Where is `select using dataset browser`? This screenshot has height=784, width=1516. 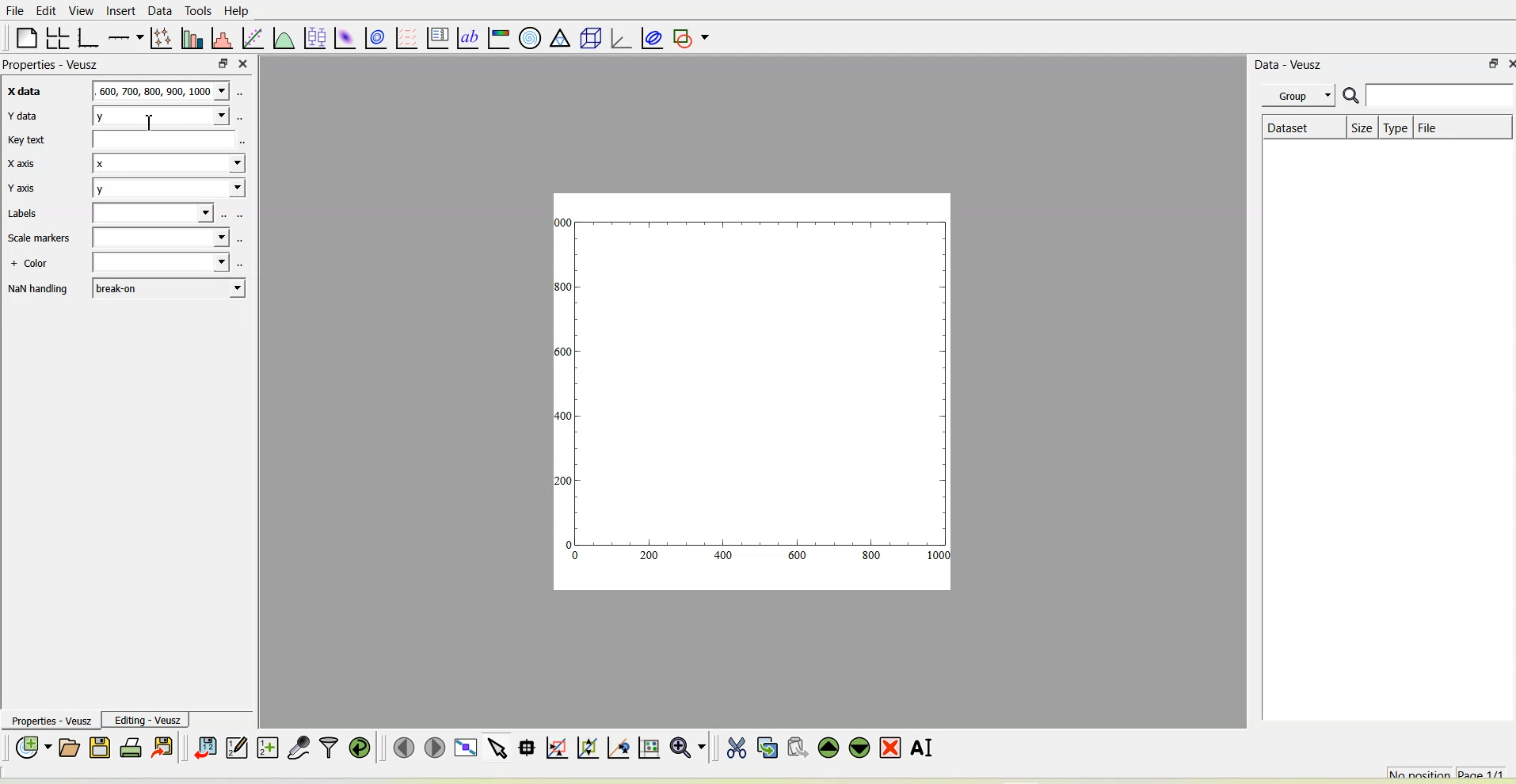 select using dataset browser is located at coordinates (226, 215).